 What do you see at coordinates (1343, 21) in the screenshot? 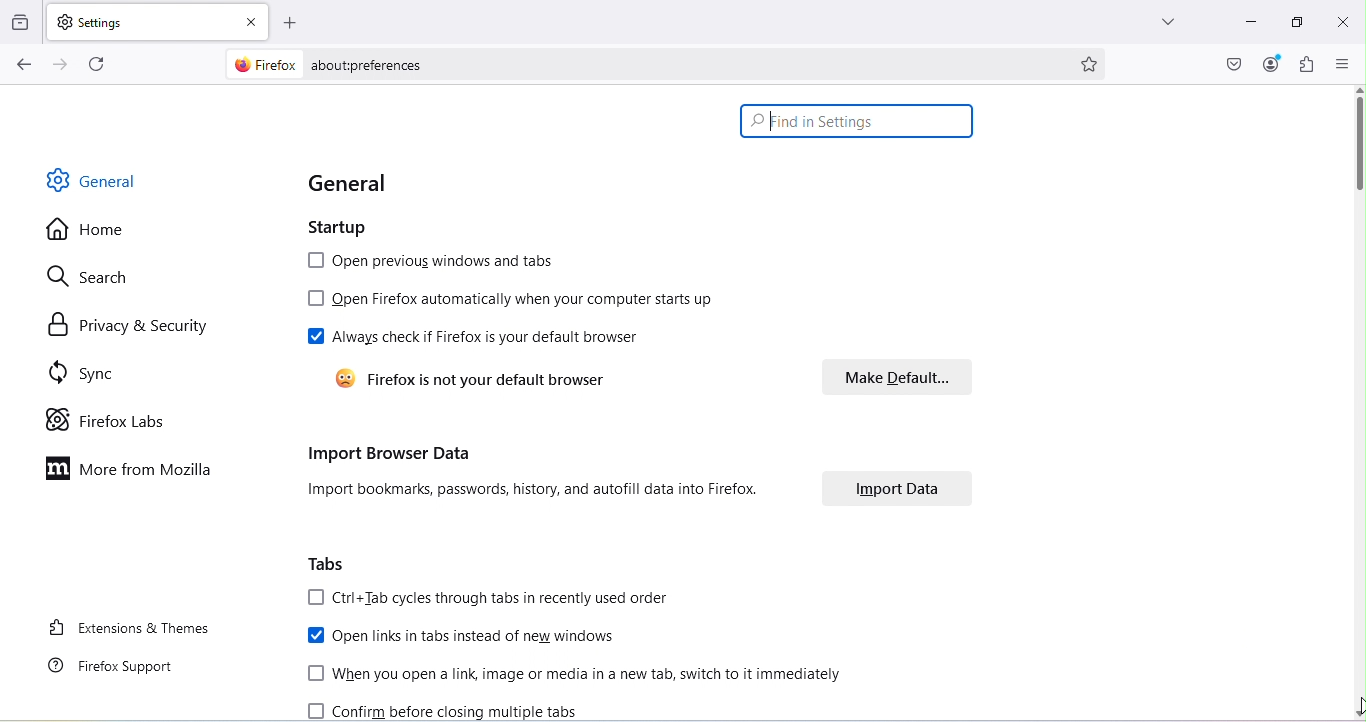
I see `Close` at bounding box center [1343, 21].